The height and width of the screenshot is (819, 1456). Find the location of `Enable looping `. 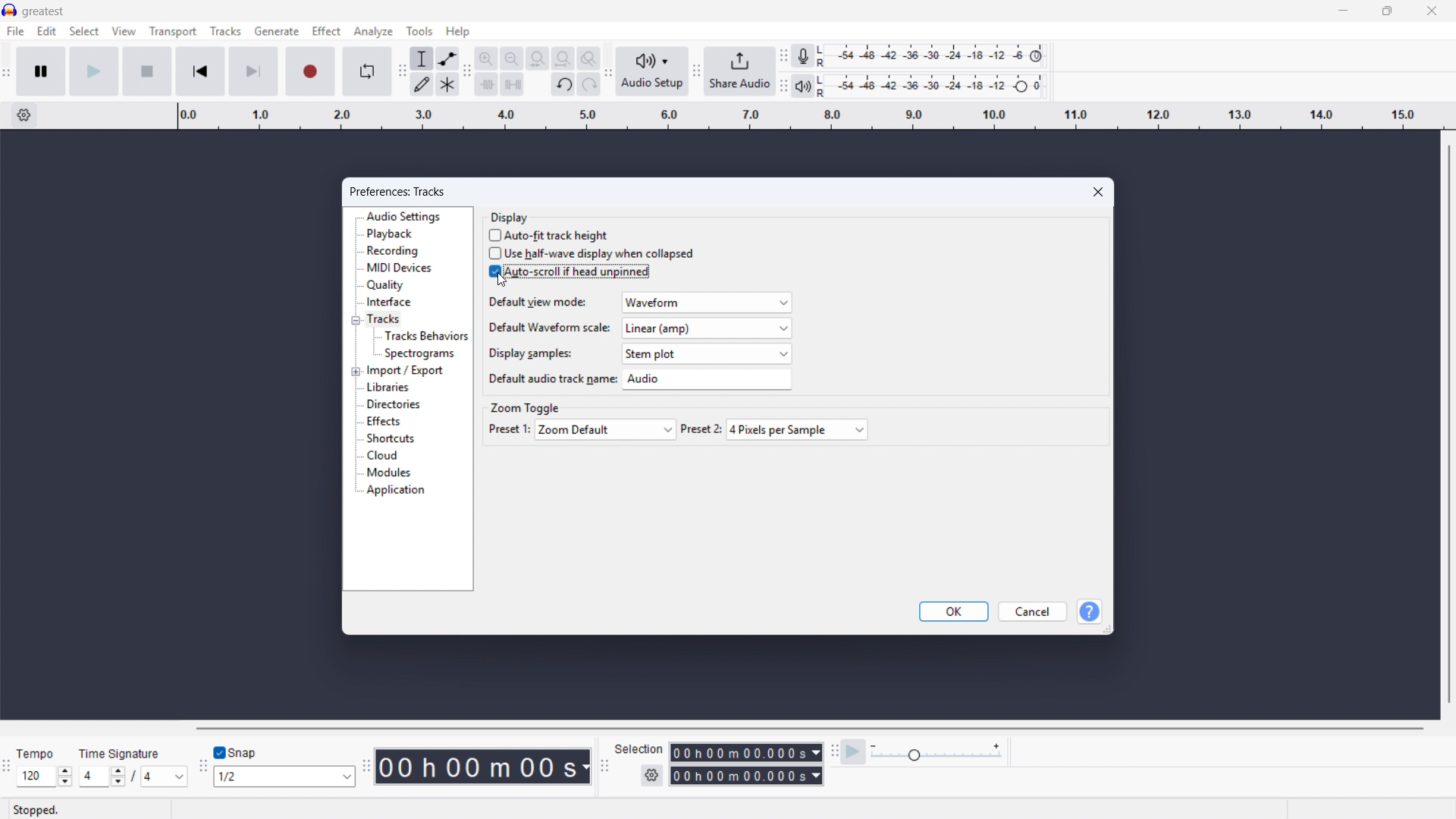

Enable looping  is located at coordinates (368, 71).